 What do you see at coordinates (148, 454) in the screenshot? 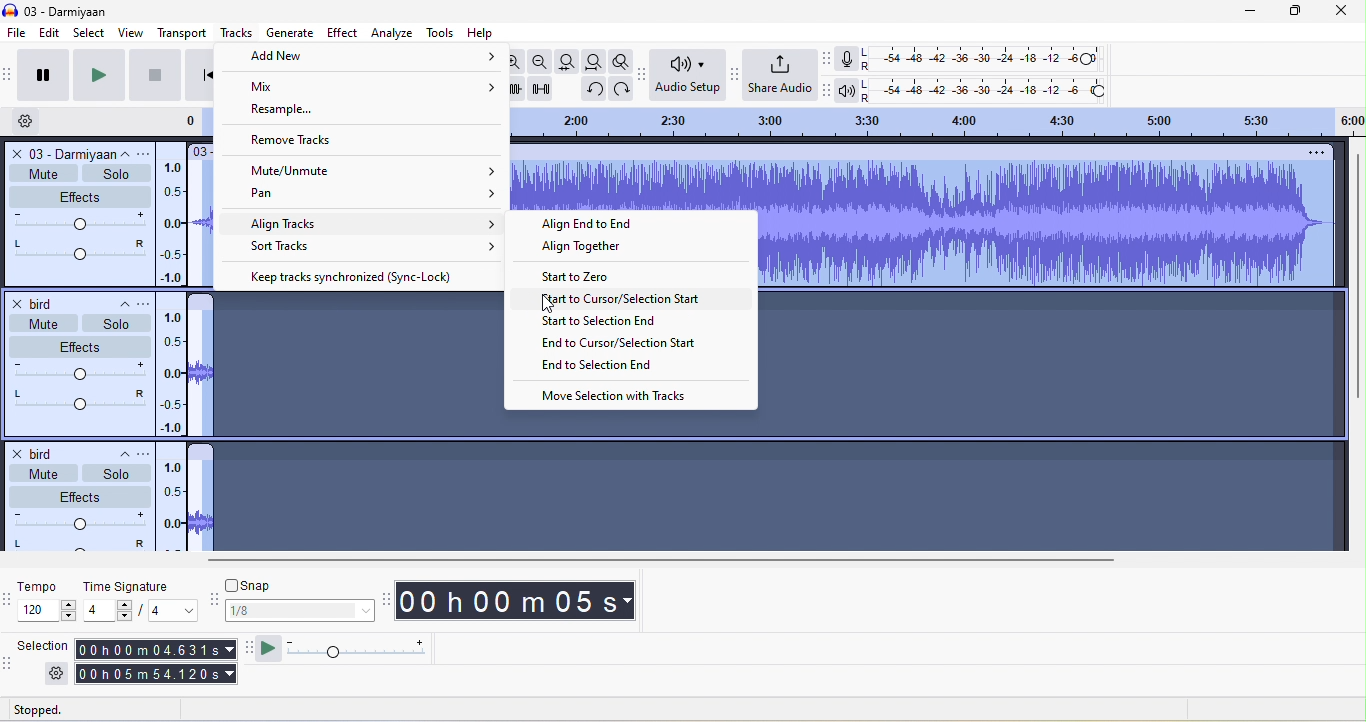
I see `open menu` at bounding box center [148, 454].